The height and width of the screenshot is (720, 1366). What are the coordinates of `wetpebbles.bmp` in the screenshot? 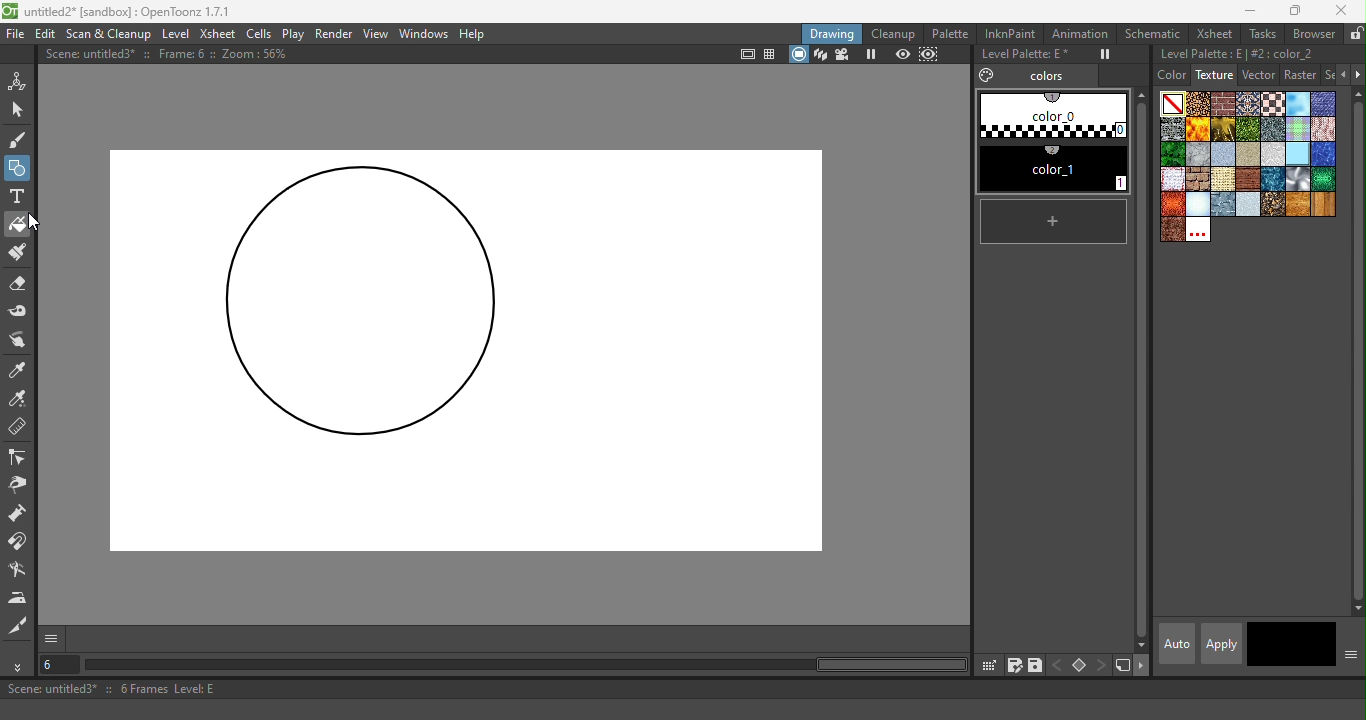 It's located at (1274, 204).